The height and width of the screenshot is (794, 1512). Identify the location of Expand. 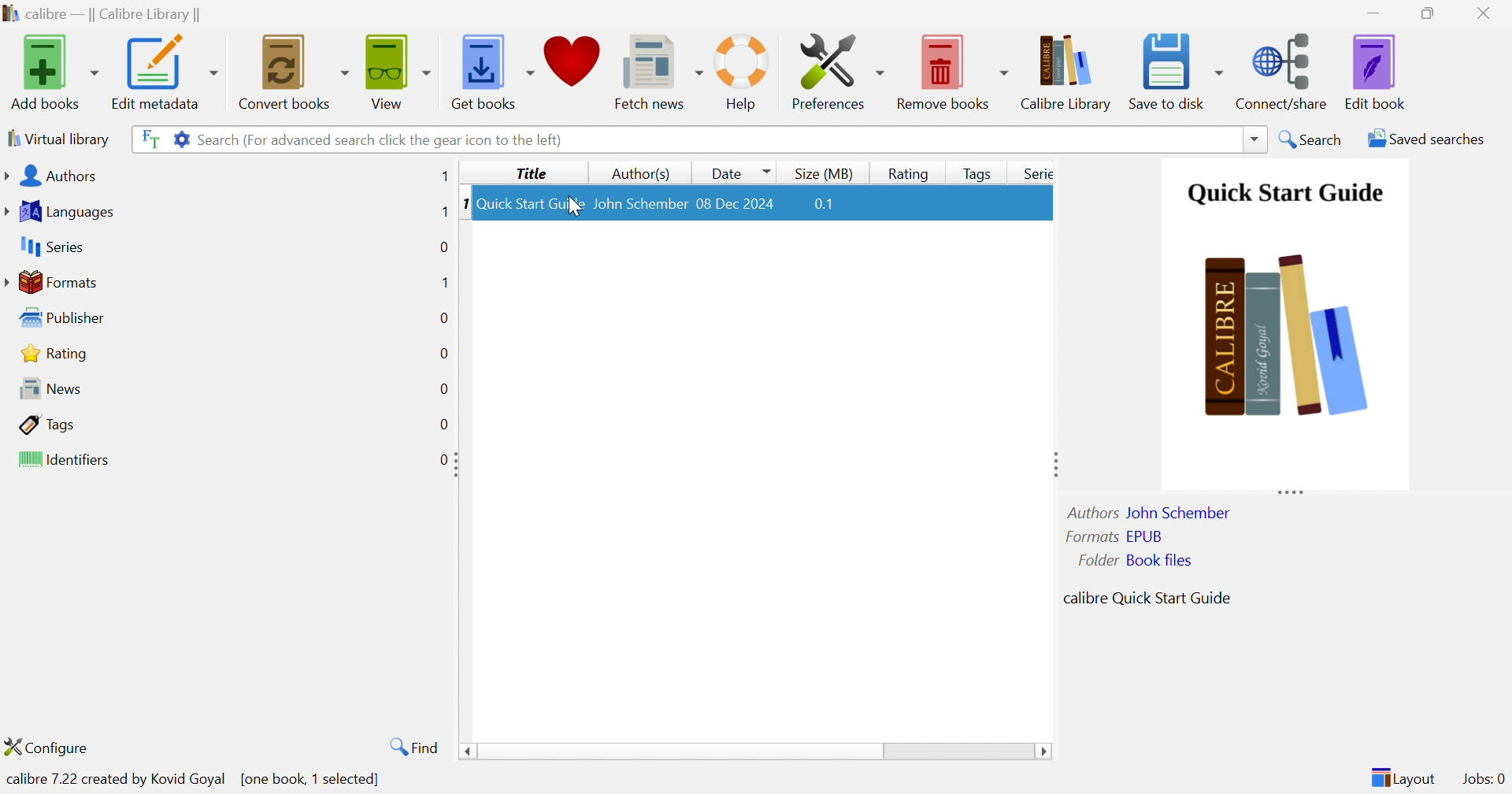
(1290, 492).